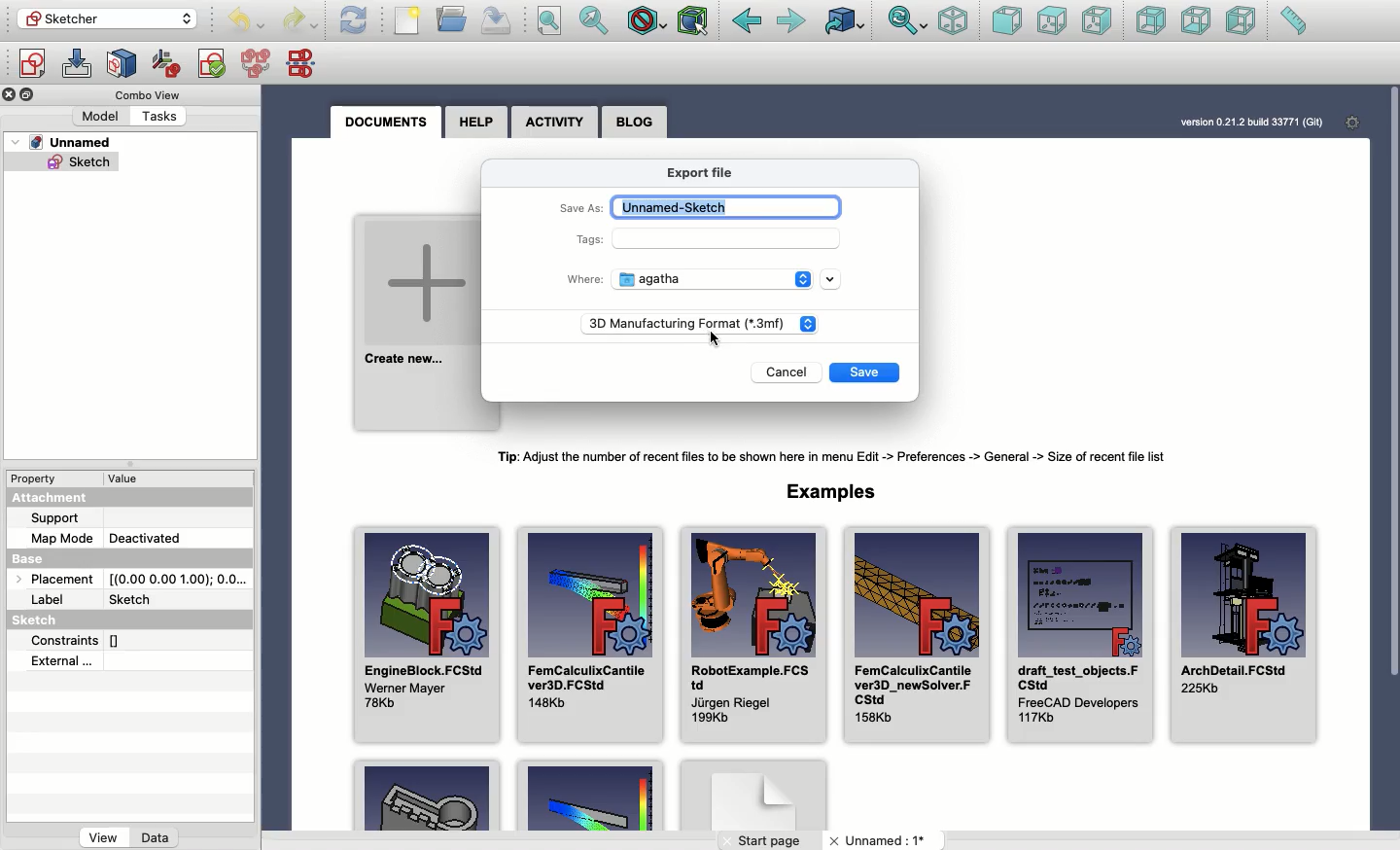  I want to click on EngineBlock.FCStd Wener Mayer 78Kb, so click(429, 635).